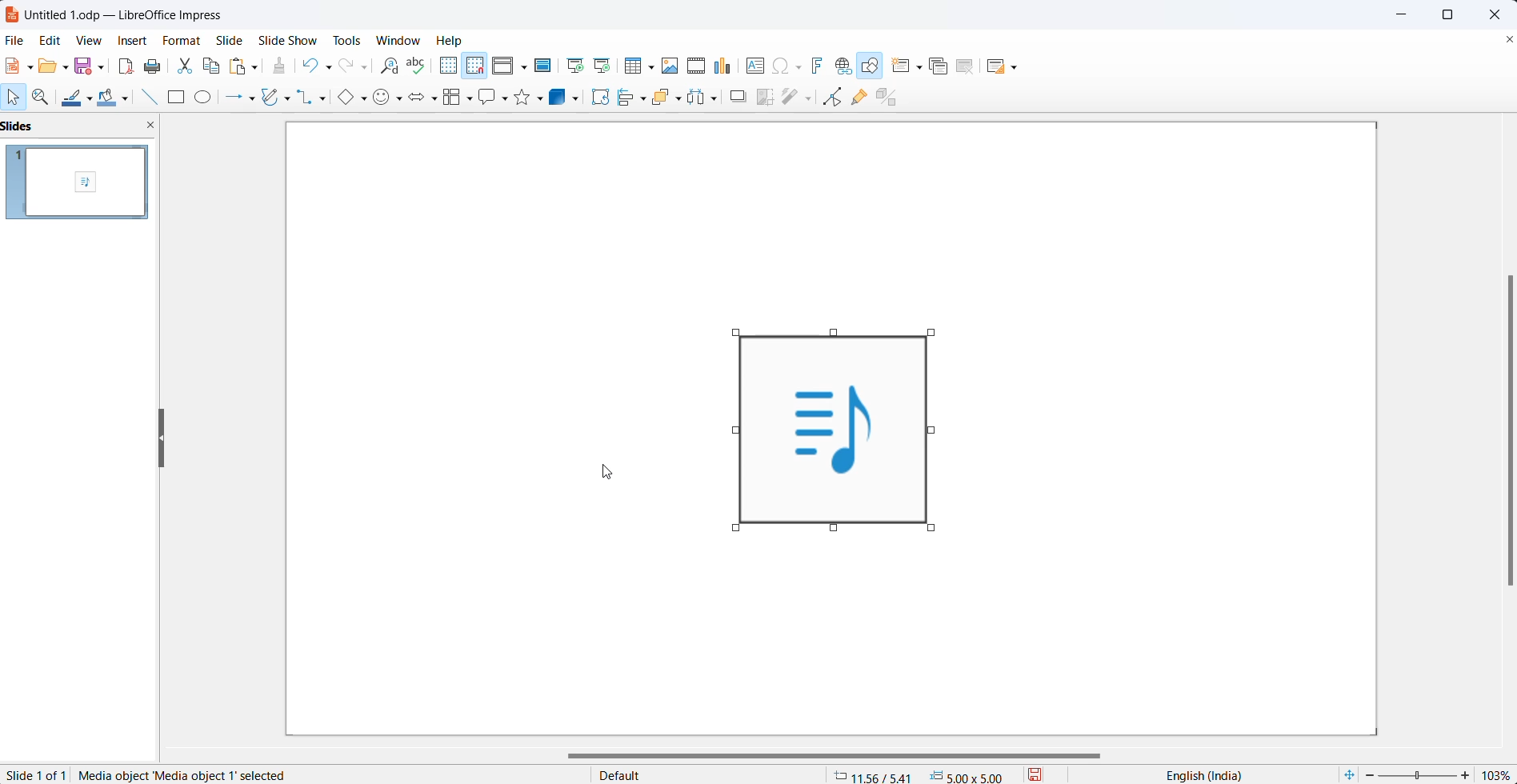  What do you see at coordinates (788, 66) in the screenshot?
I see `insert special character` at bounding box center [788, 66].